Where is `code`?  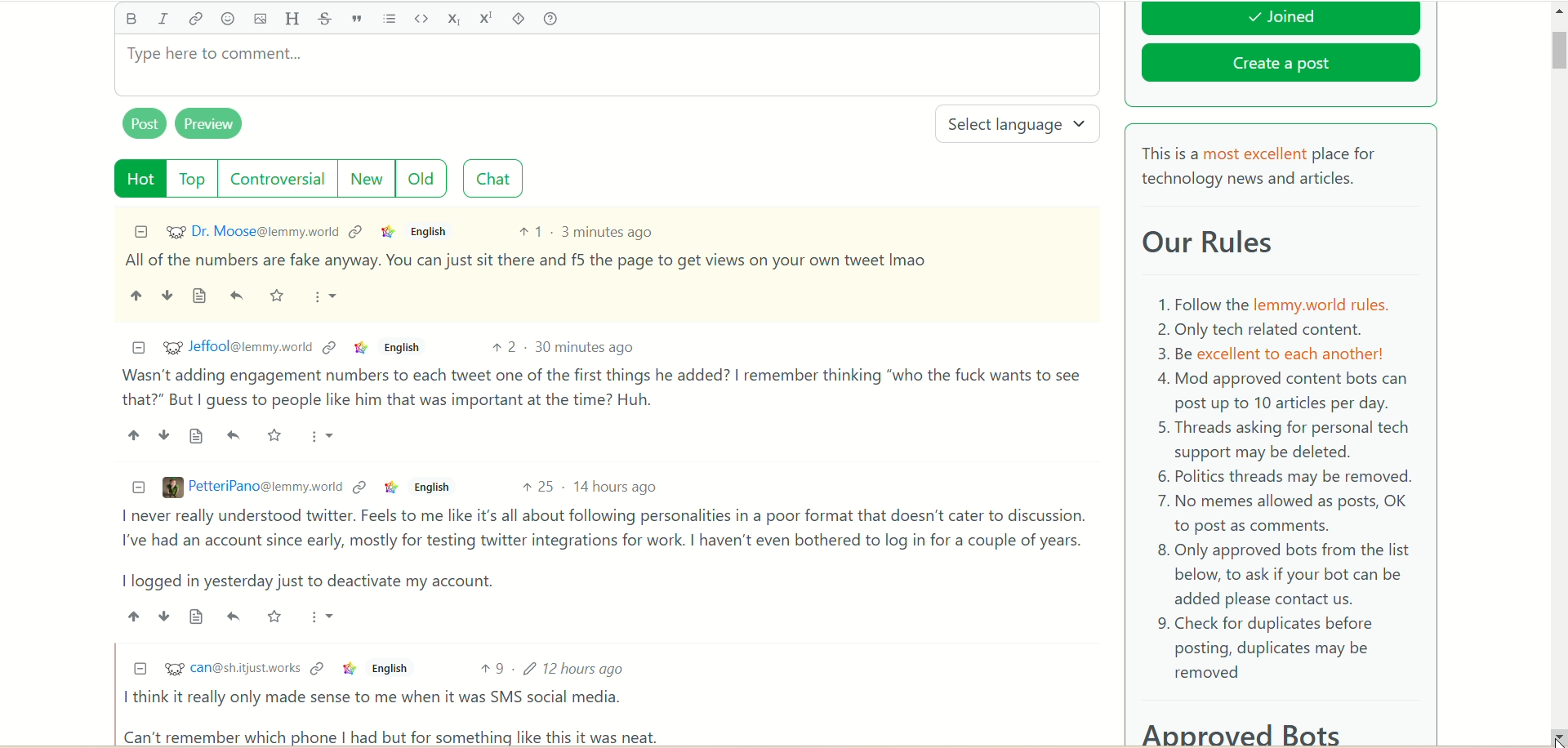 code is located at coordinates (421, 18).